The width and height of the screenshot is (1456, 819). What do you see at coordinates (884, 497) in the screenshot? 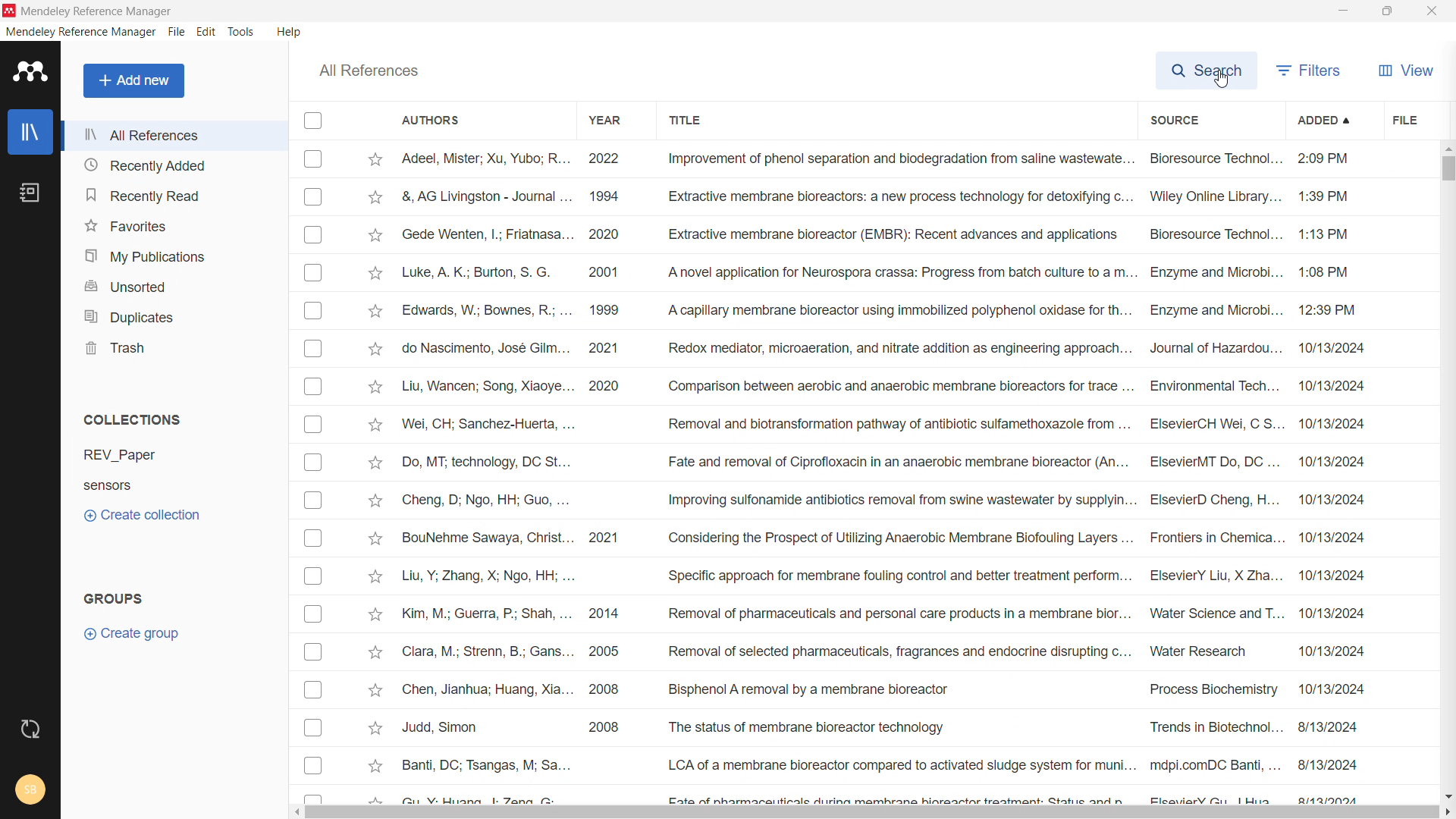
I see `Cheng, D; Ngo, HH; Guo, ... Improving sulfonamide antibiotics removal from swine wastewater by supplyin... ElsevierD Cheng, H... 10/13/2024` at bounding box center [884, 497].